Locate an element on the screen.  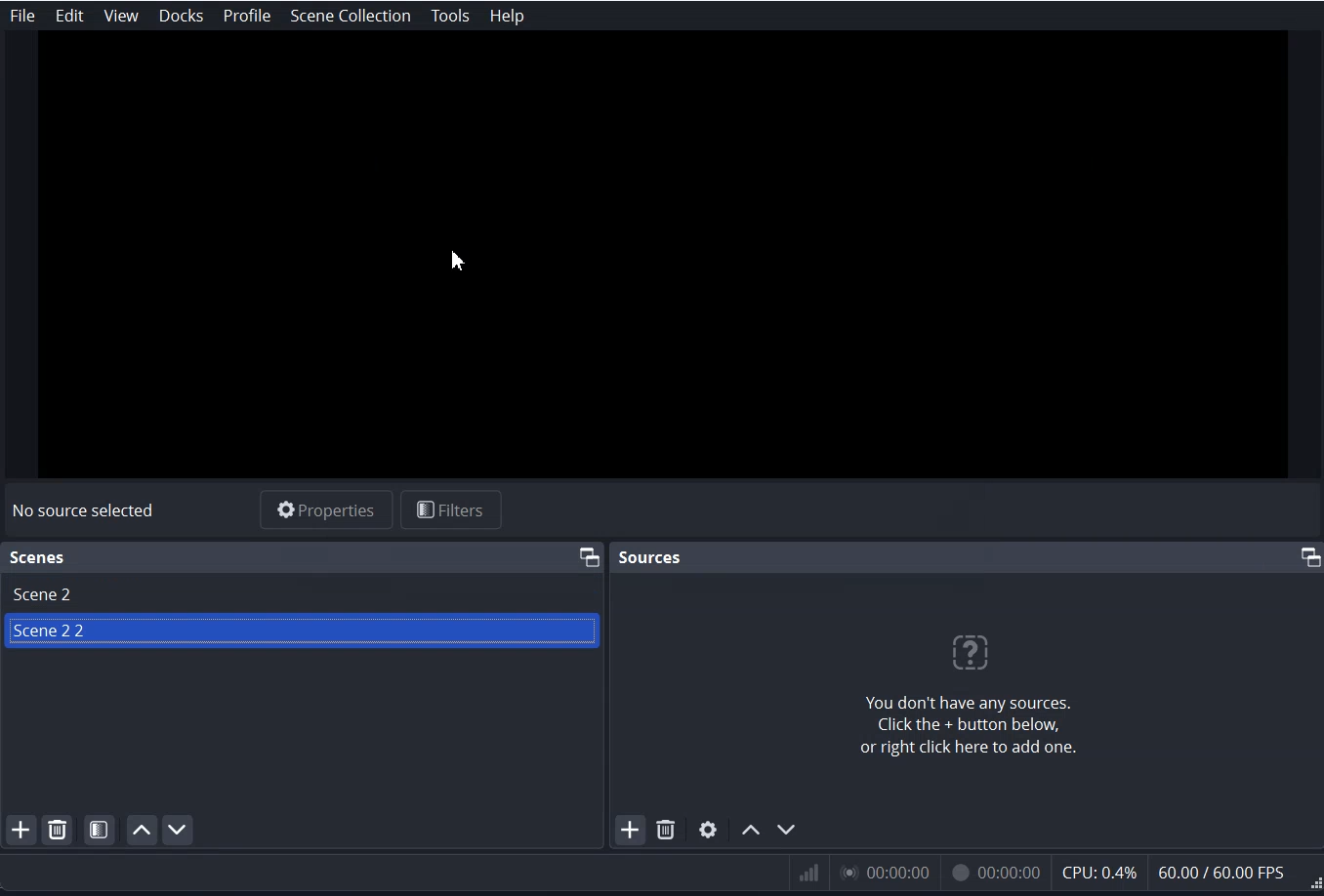
Scene Collection is located at coordinates (349, 16).